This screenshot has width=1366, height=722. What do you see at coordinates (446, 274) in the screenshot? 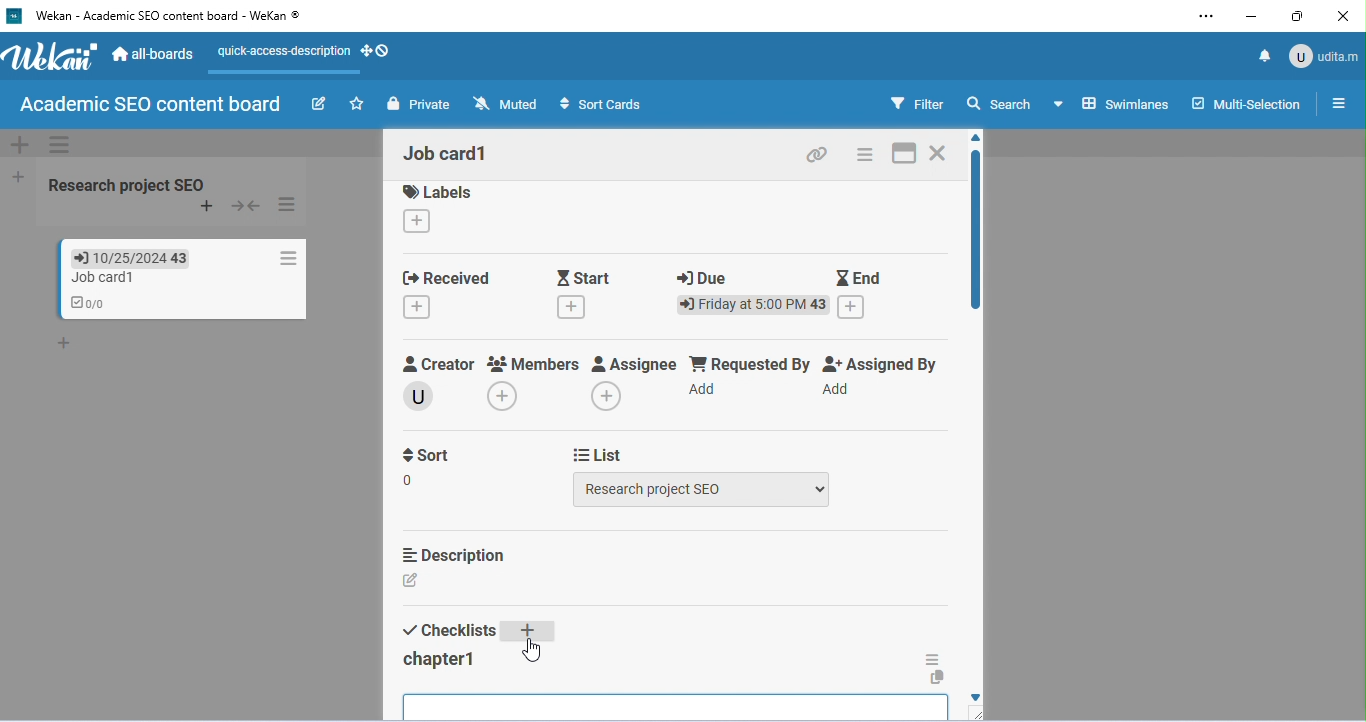
I see `received` at bounding box center [446, 274].